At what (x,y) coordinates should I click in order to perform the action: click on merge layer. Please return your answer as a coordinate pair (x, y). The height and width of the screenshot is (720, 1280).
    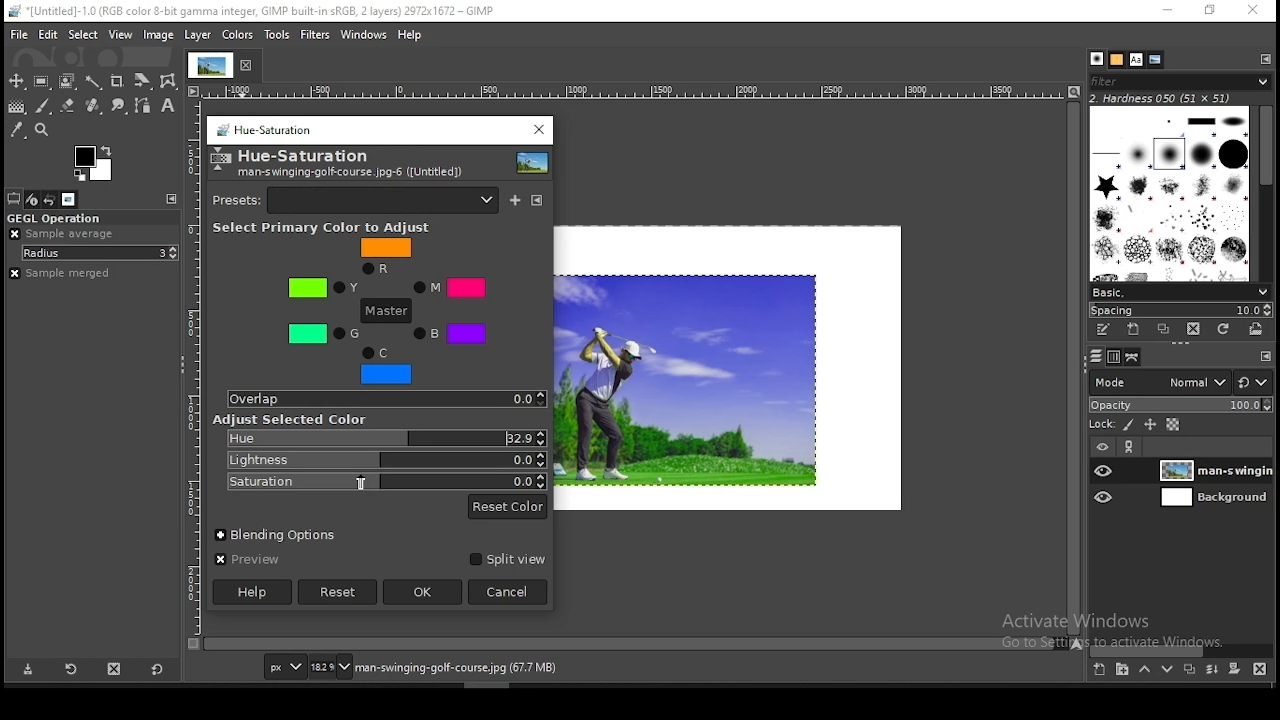
    Looking at the image, I should click on (1212, 670).